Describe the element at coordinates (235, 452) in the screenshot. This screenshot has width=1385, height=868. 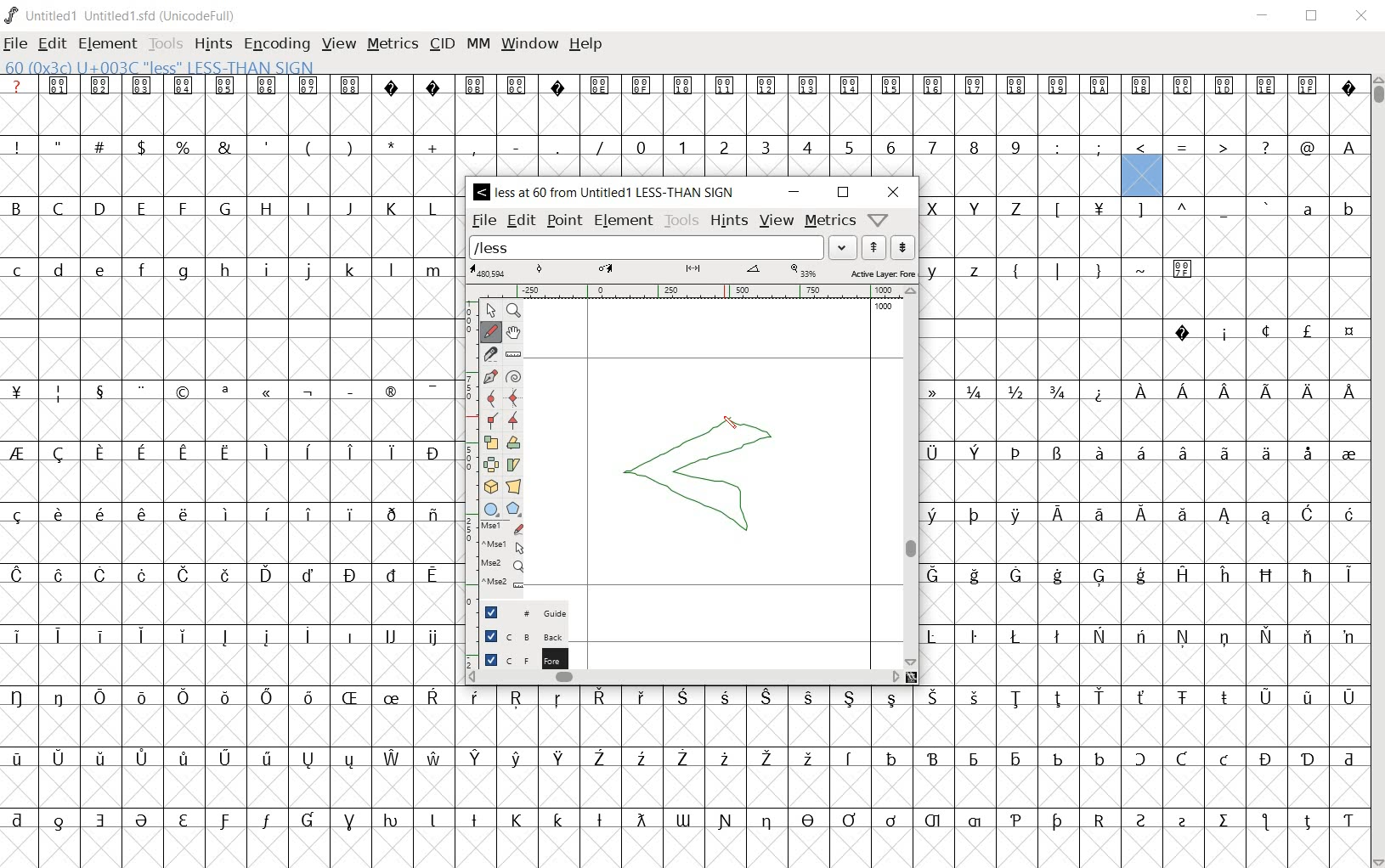
I see `special letters` at that location.